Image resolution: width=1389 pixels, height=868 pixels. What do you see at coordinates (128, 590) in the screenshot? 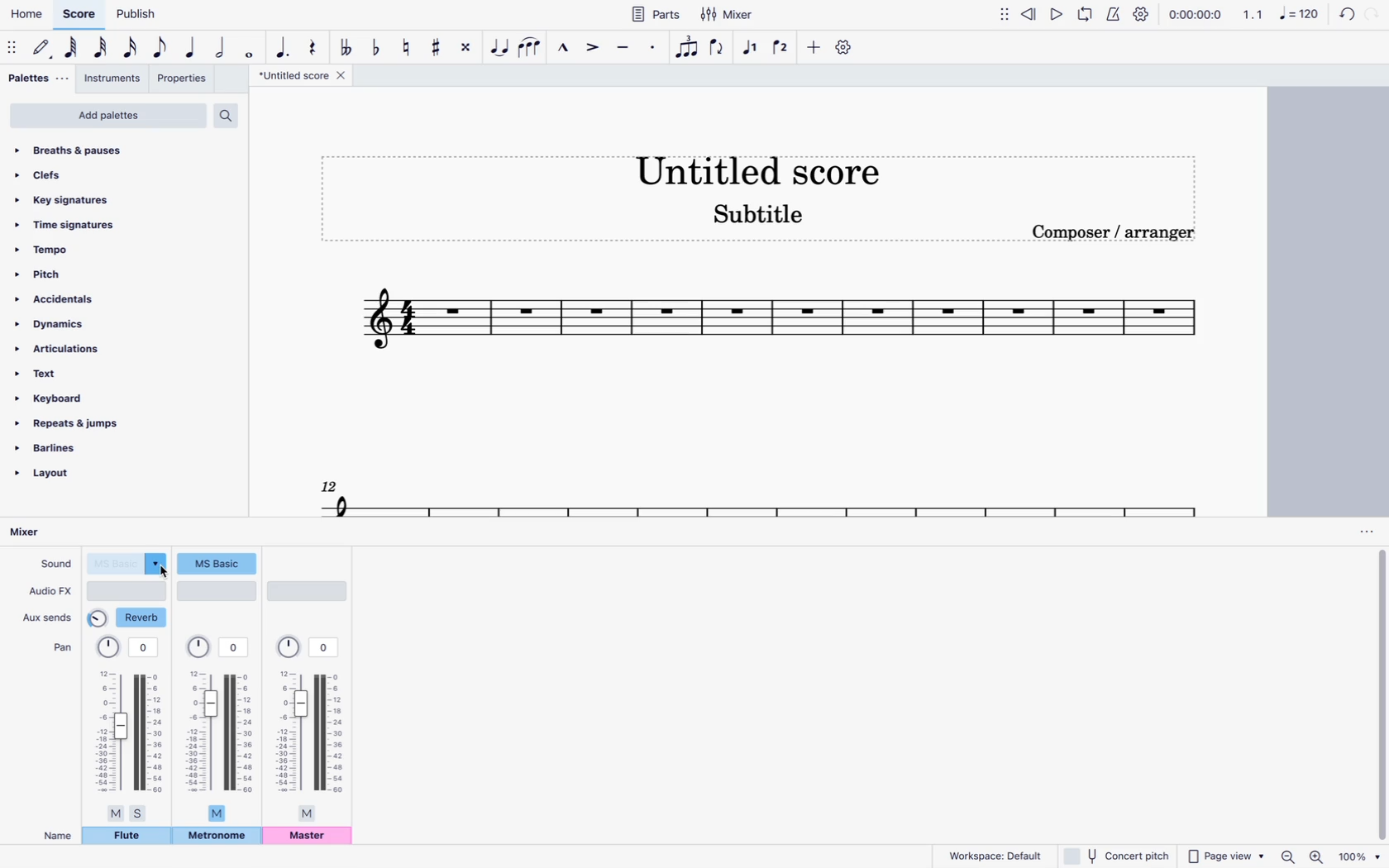
I see `audio type` at bounding box center [128, 590].